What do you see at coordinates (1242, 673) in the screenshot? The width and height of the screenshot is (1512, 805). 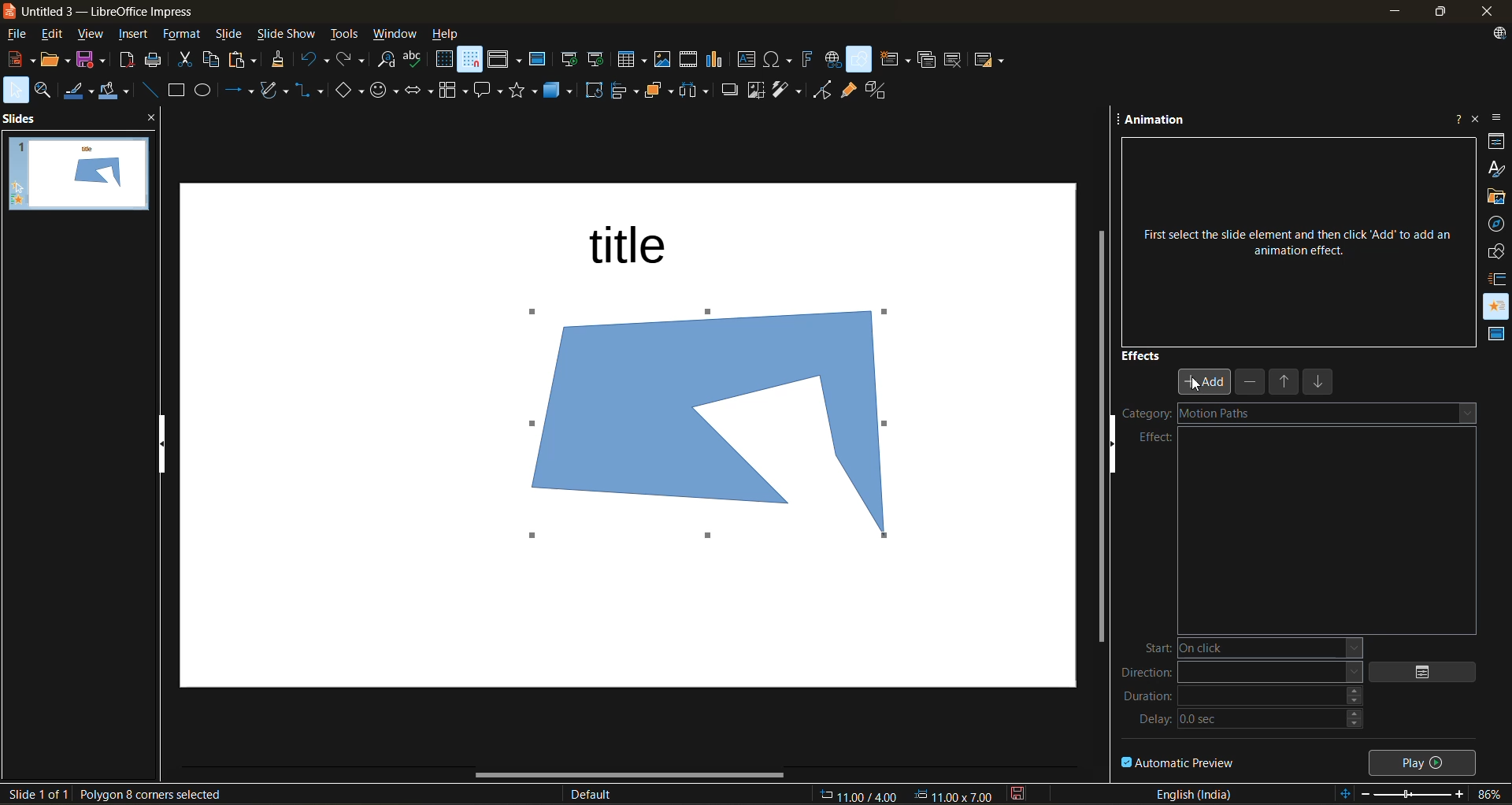 I see `direction` at bounding box center [1242, 673].